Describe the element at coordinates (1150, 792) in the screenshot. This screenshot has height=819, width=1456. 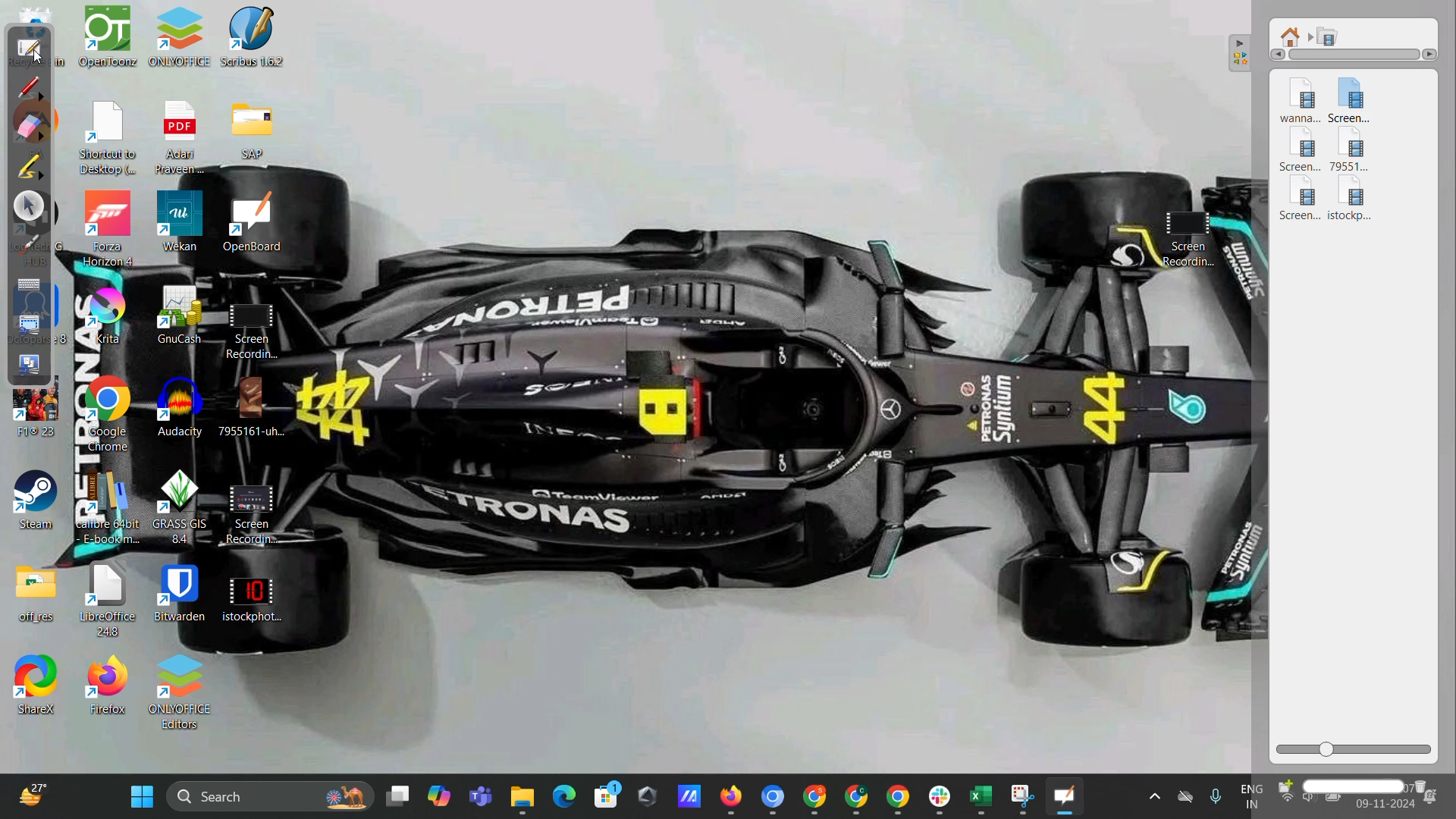
I see `Show hidden icons` at that location.